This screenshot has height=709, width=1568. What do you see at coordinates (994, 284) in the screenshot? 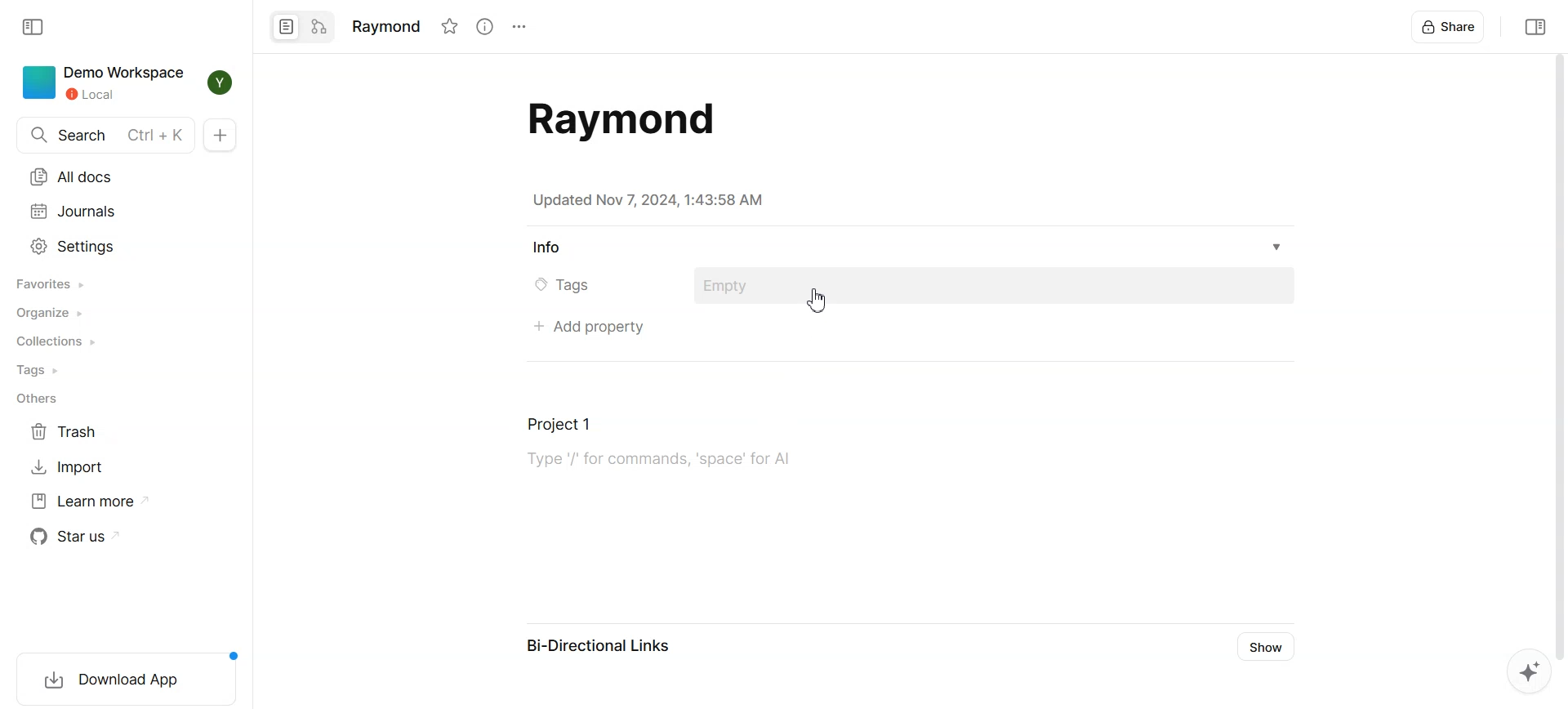
I see `Add tags` at bounding box center [994, 284].